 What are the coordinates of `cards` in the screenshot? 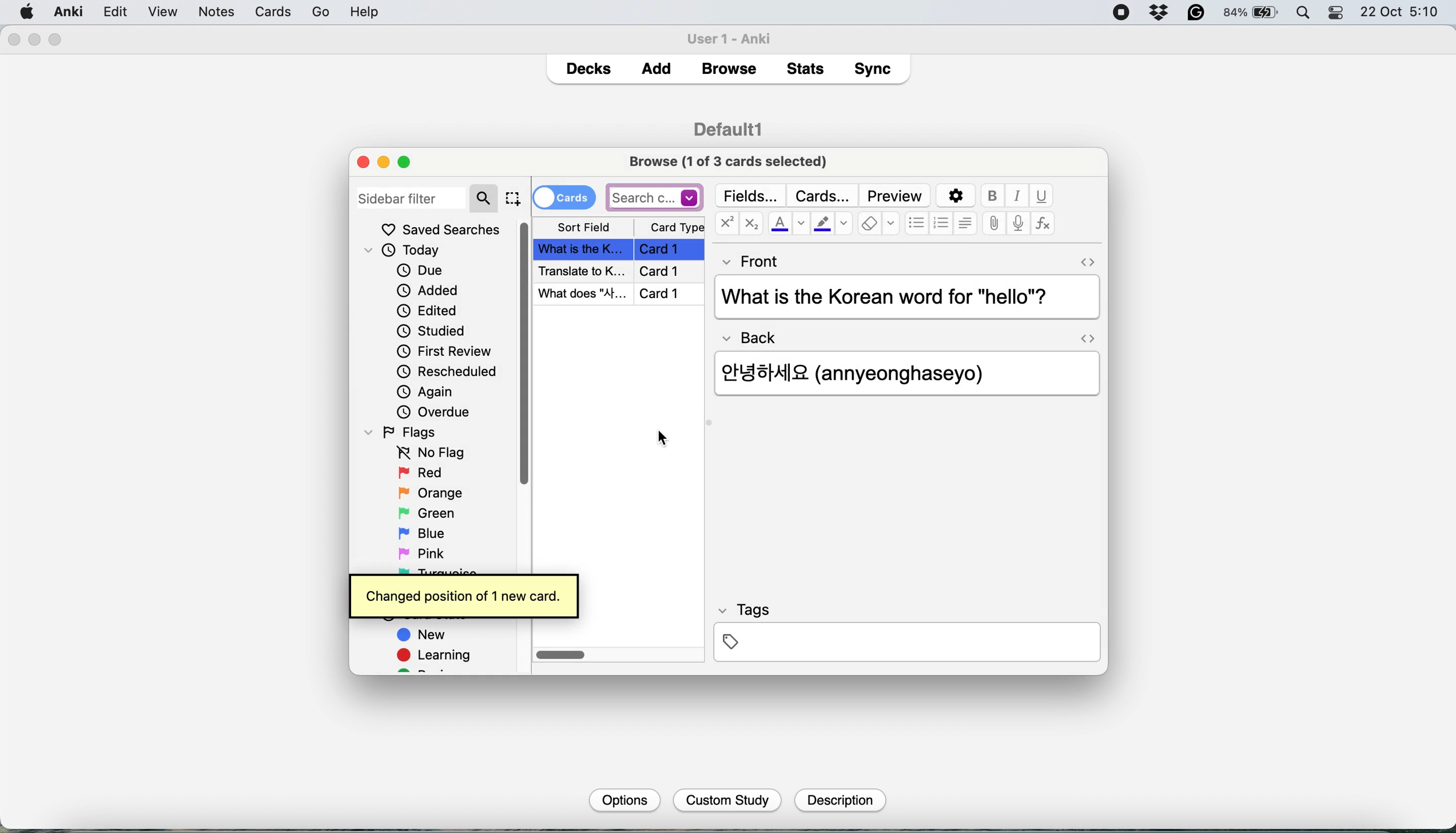 It's located at (564, 196).